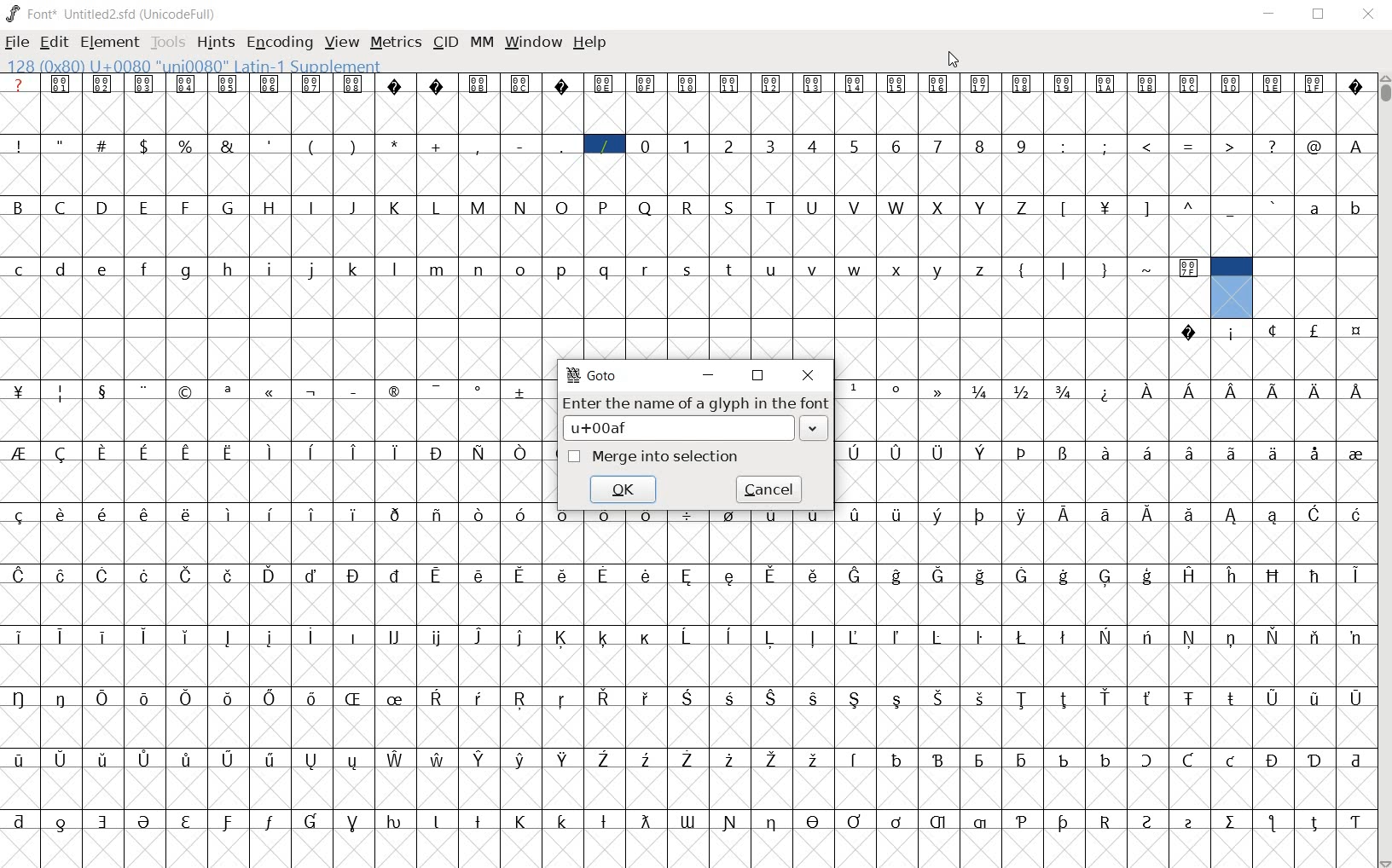  I want to click on Symbol, so click(853, 636).